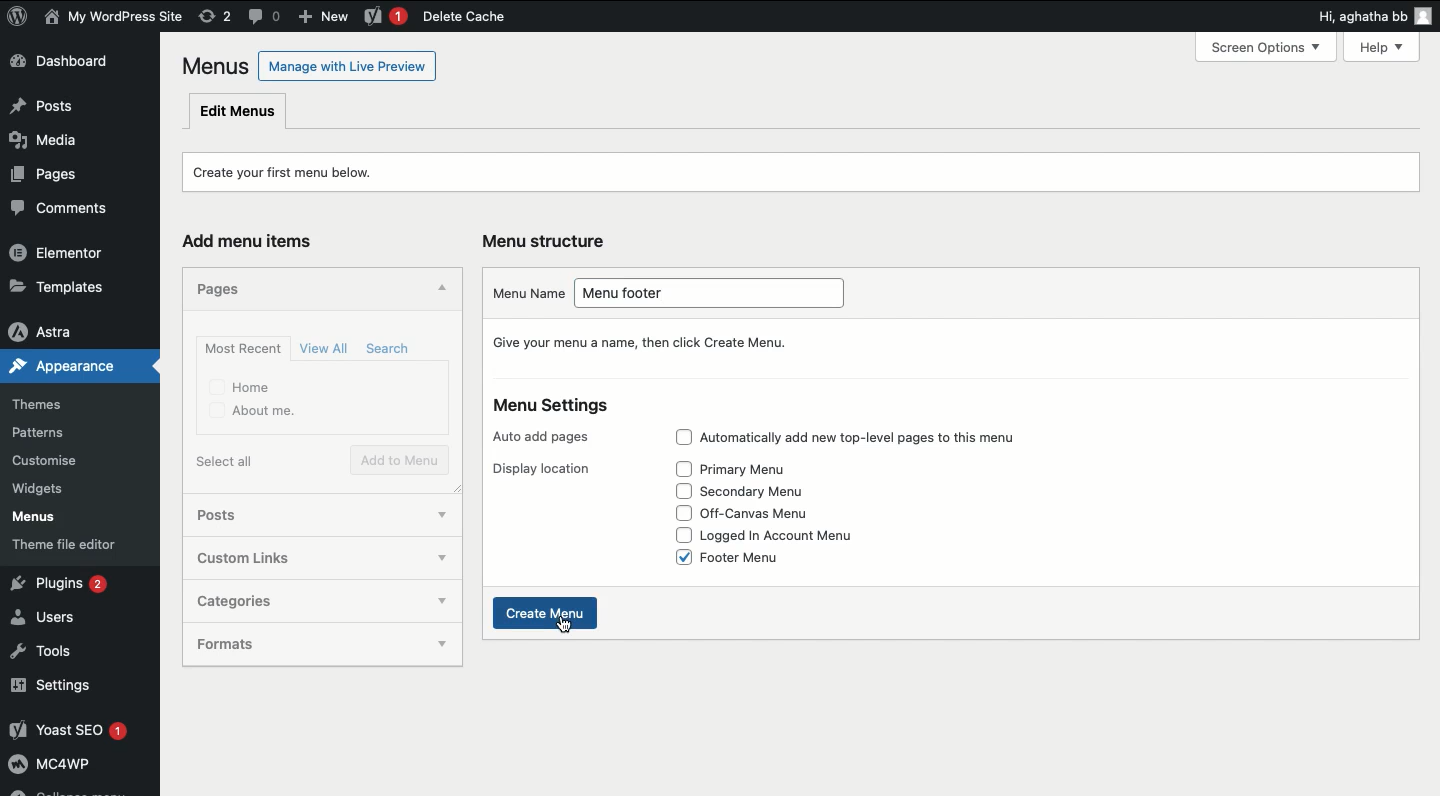 Image resolution: width=1440 pixels, height=796 pixels. What do you see at coordinates (544, 613) in the screenshot?
I see `Create menu` at bounding box center [544, 613].